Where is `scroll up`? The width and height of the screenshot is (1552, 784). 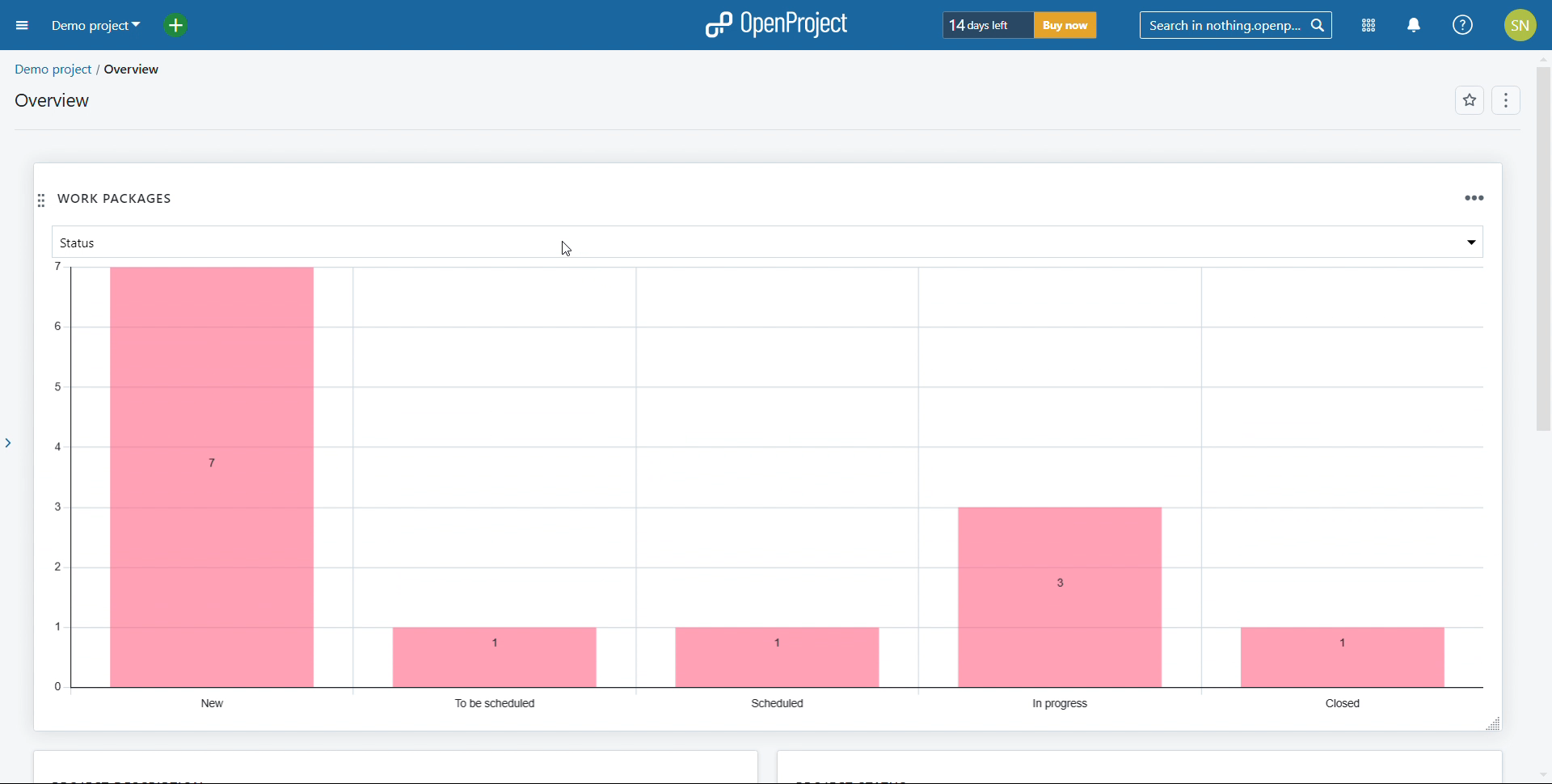
scroll up is located at coordinates (1542, 57).